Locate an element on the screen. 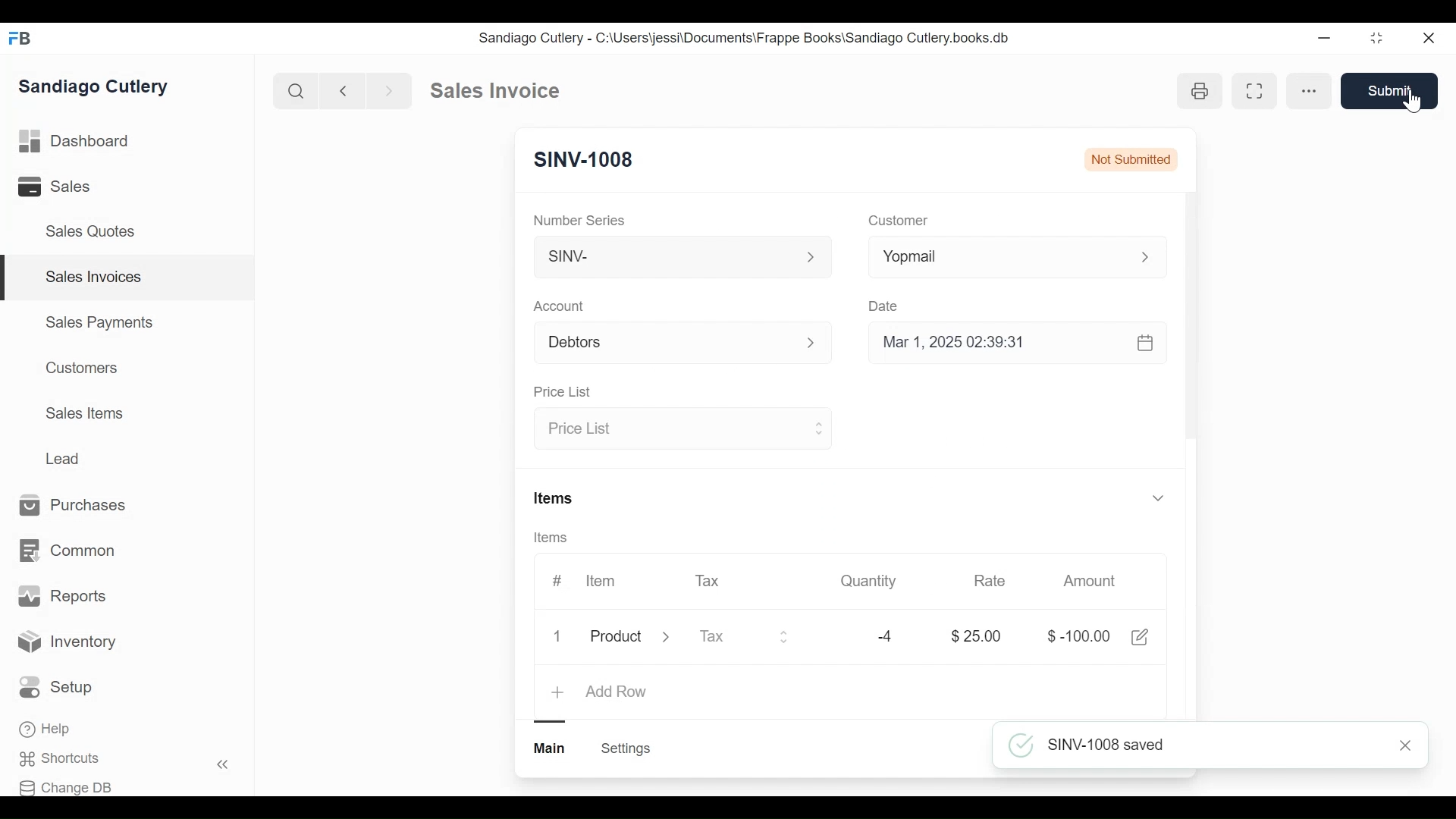  Items is located at coordinates (852, 497).